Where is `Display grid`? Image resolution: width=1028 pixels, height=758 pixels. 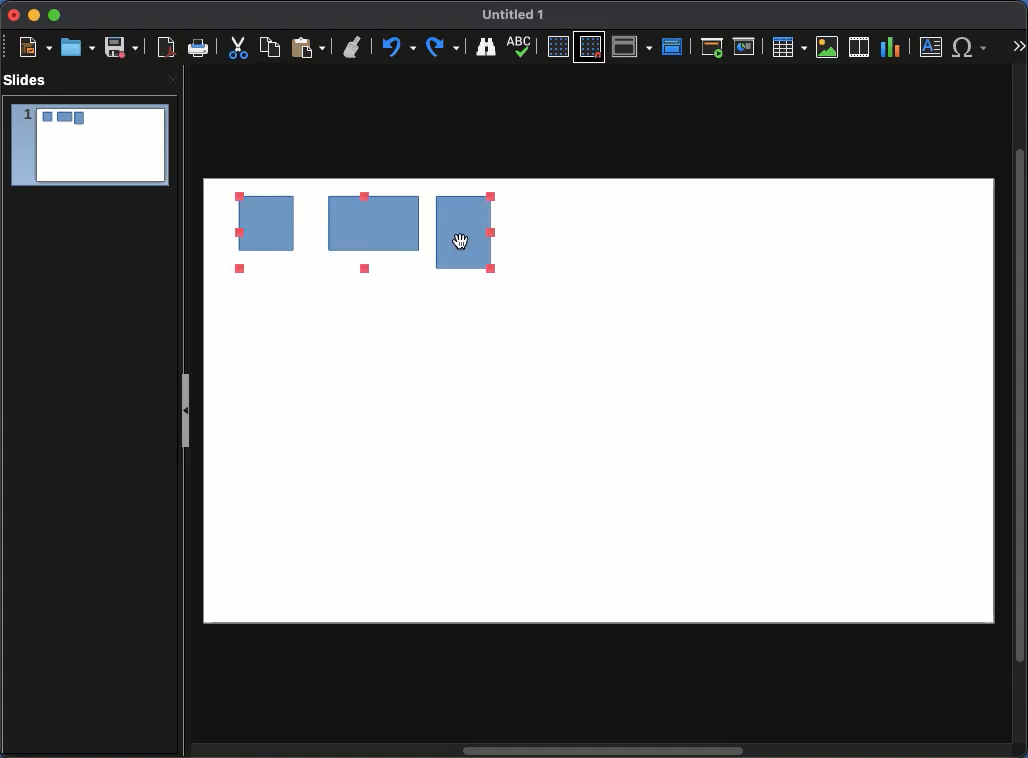 Display grid is located at coordinates (556, 47).